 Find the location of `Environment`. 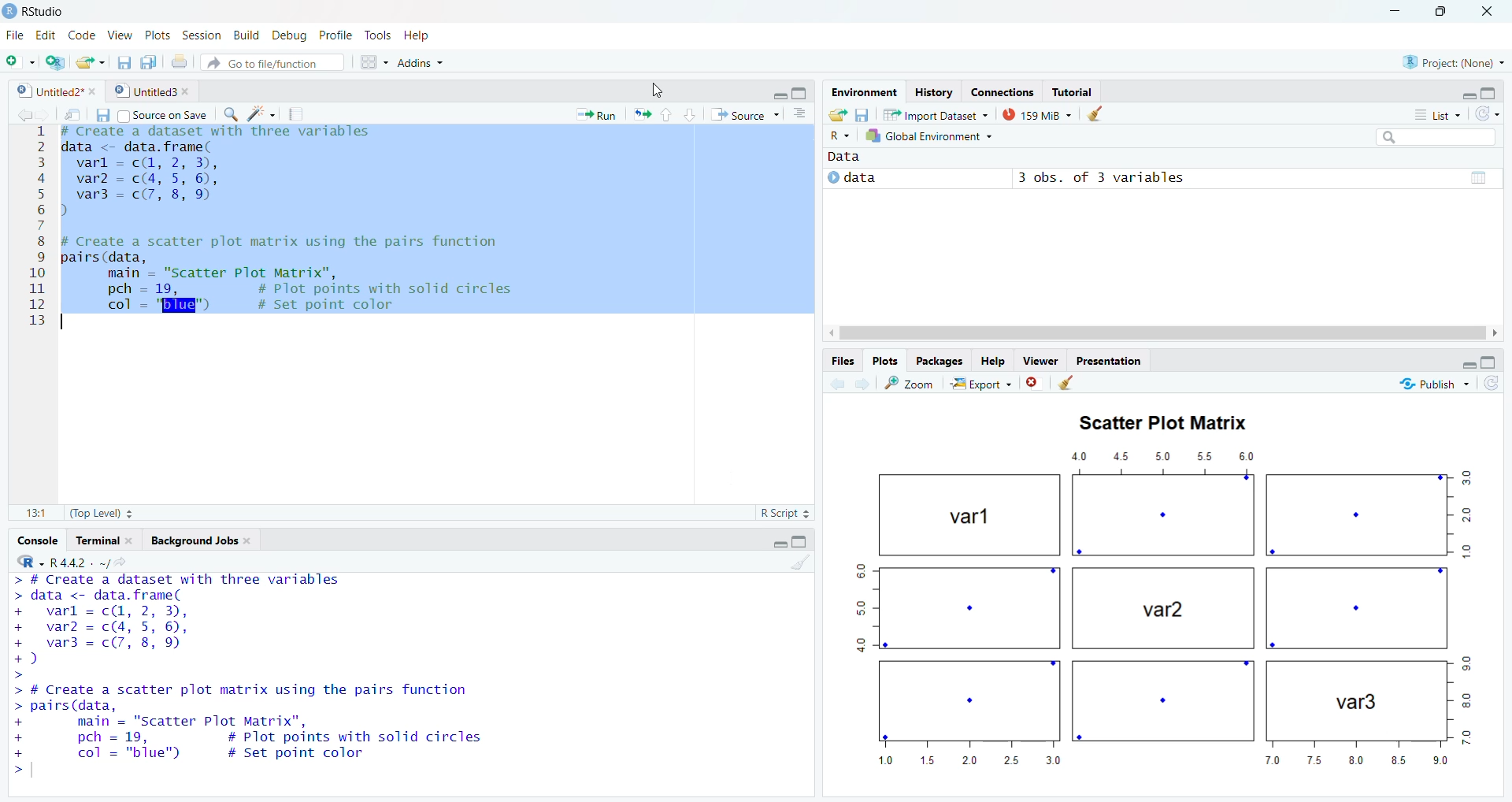

Environment is located at coordinates (863, 91).